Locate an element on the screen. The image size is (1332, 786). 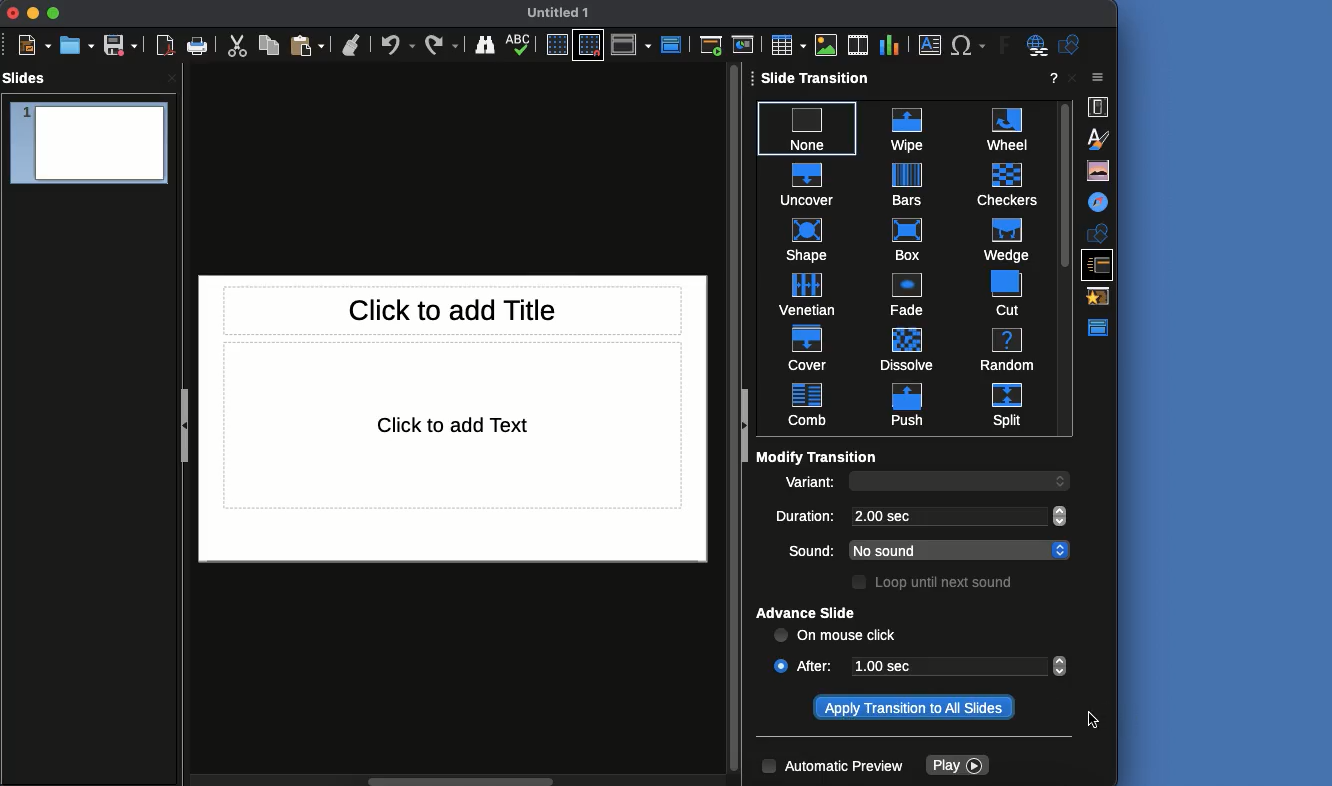
Paste is located at coordinates (309, 44).